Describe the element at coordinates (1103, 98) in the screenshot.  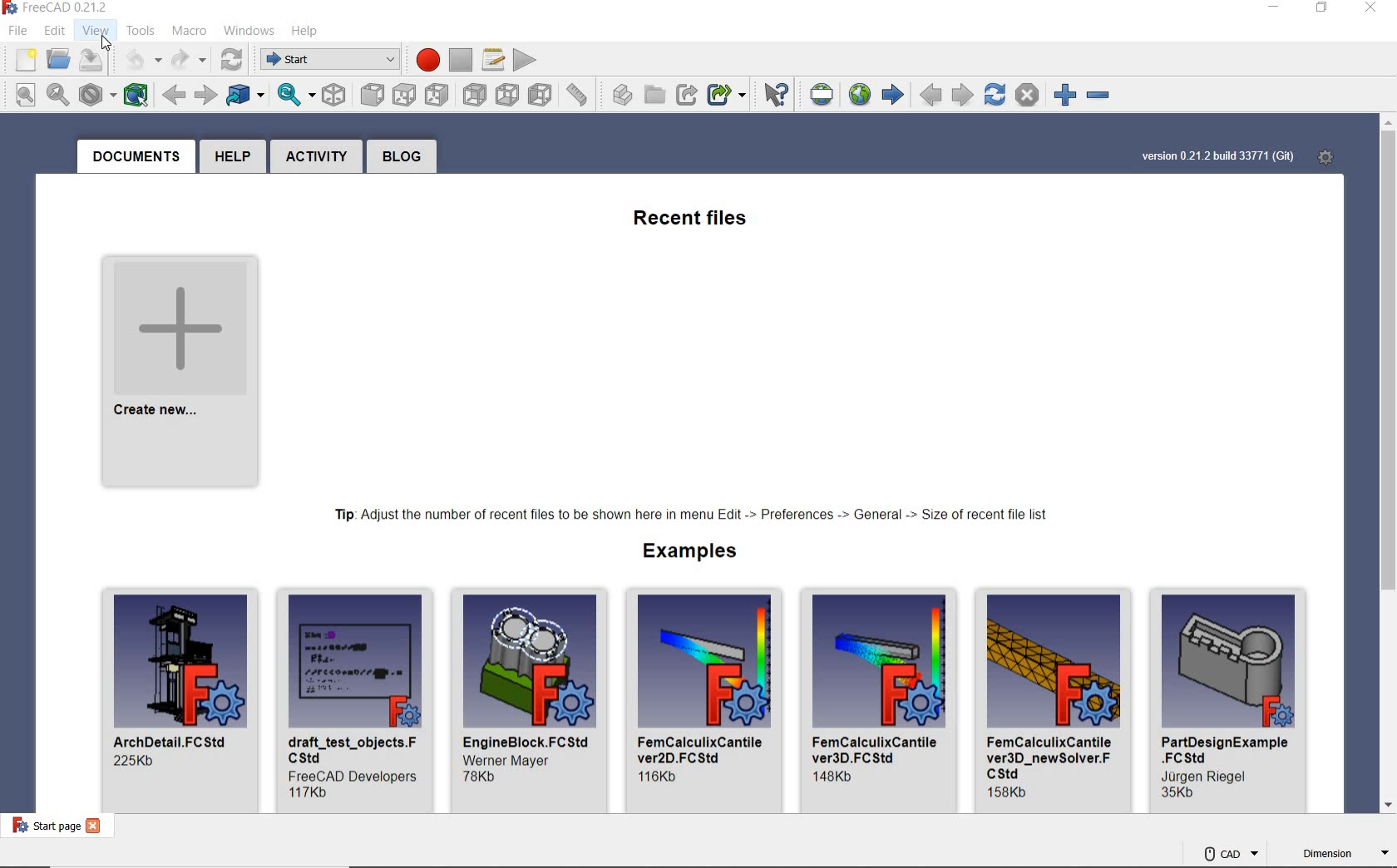
I see `zoom out` at that location.